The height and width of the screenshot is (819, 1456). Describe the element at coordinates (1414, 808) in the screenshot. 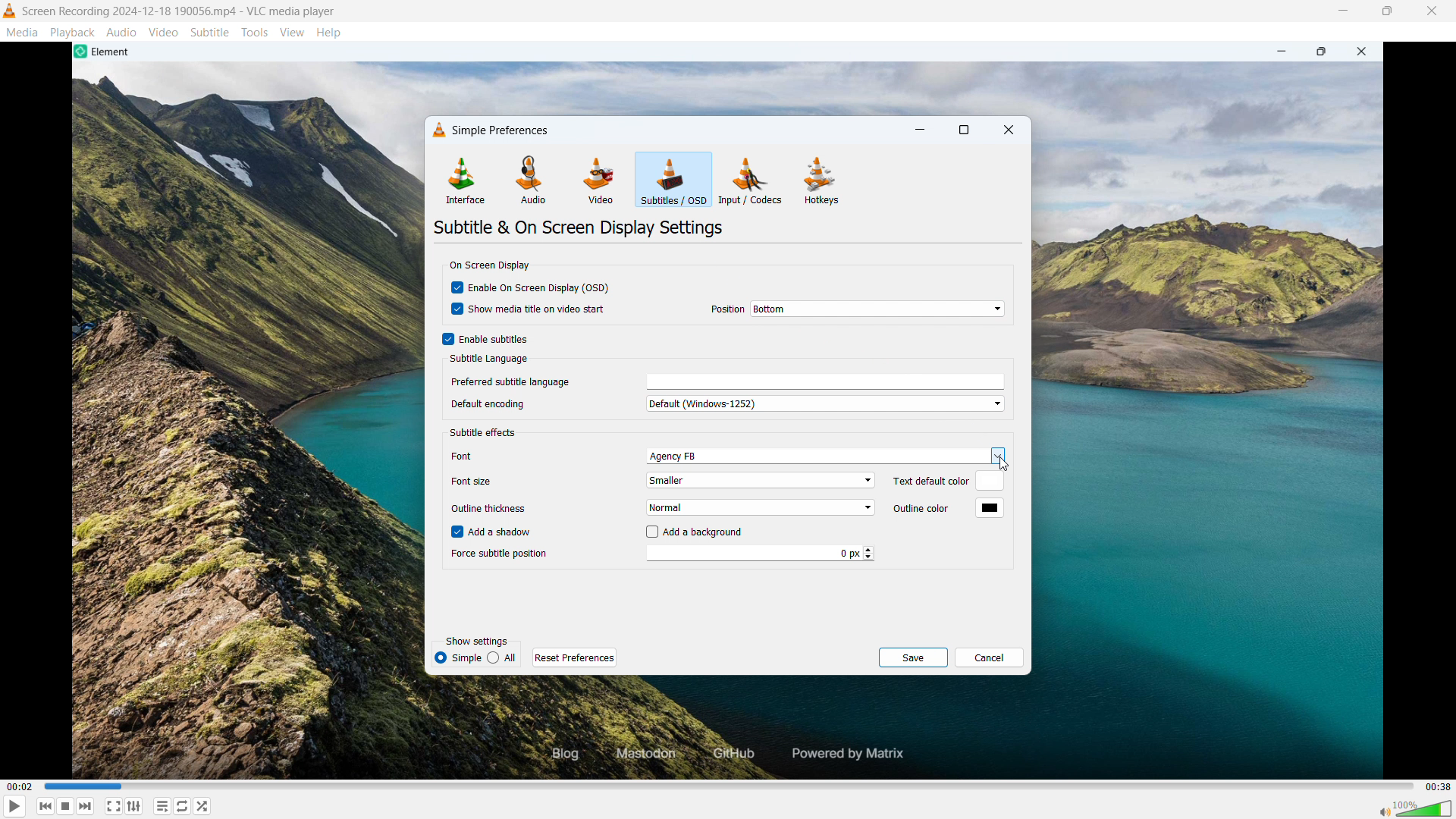

I see `sound bar` at that location.